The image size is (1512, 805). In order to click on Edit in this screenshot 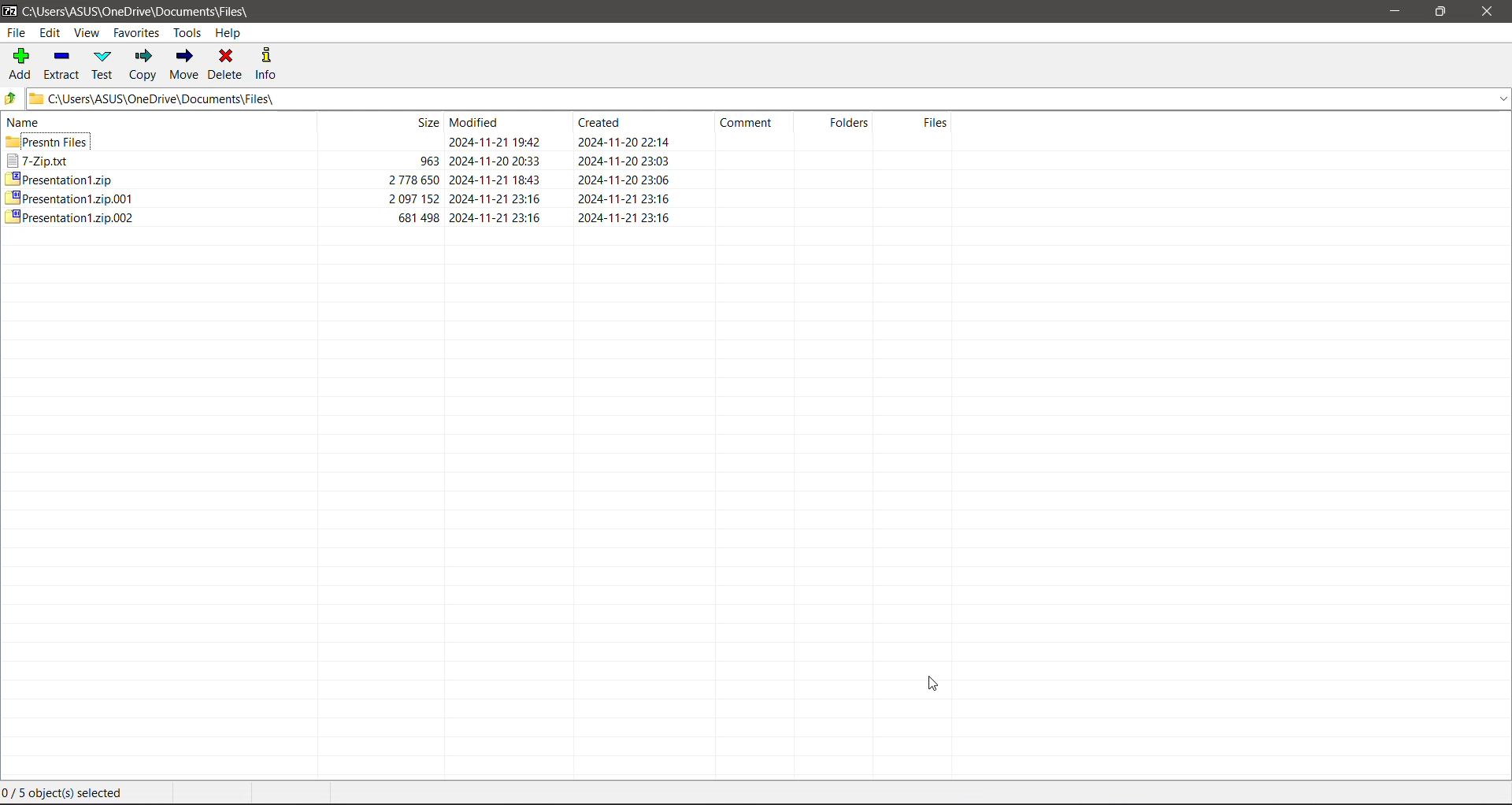, I will do `click(53, 34)`.